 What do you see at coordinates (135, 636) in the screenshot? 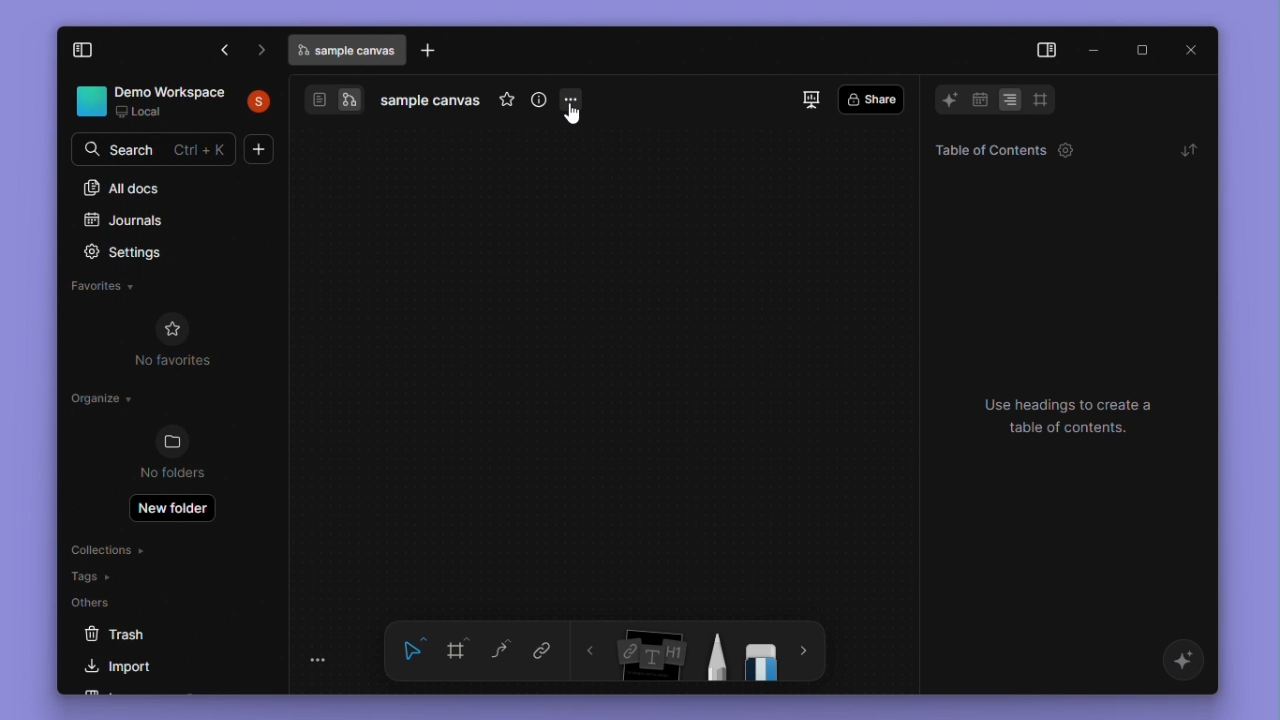
I see `trash` at bounding box center [135, 636].